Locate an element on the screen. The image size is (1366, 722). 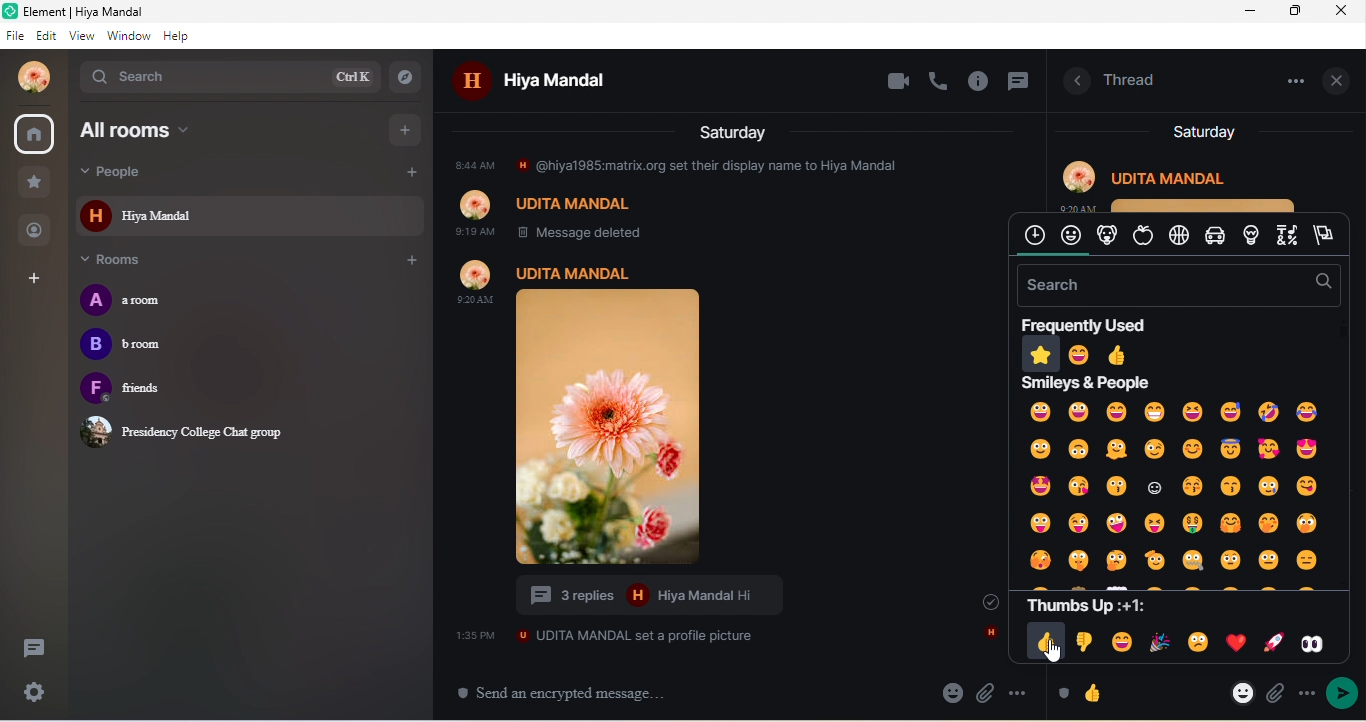
help is located at coordinates (177, 36).